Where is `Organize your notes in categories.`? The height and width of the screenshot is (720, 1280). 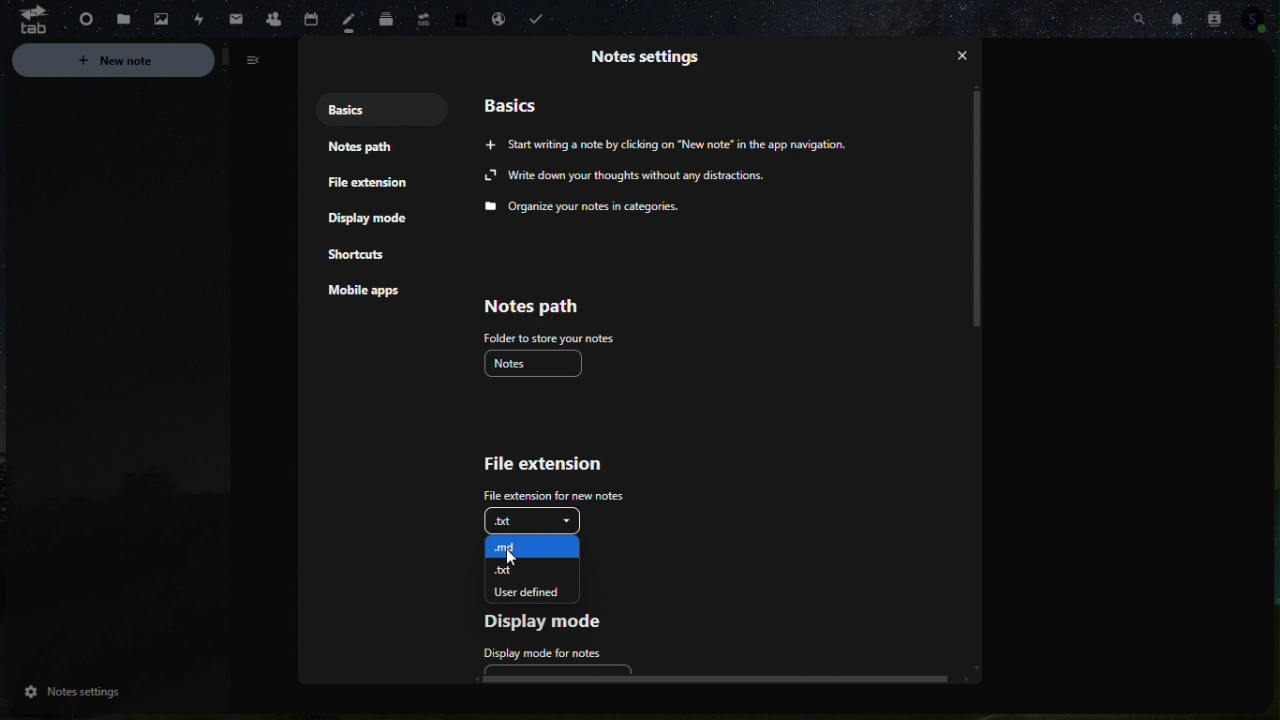 Organize your notes in categories. is located at coordinates (584, 208).